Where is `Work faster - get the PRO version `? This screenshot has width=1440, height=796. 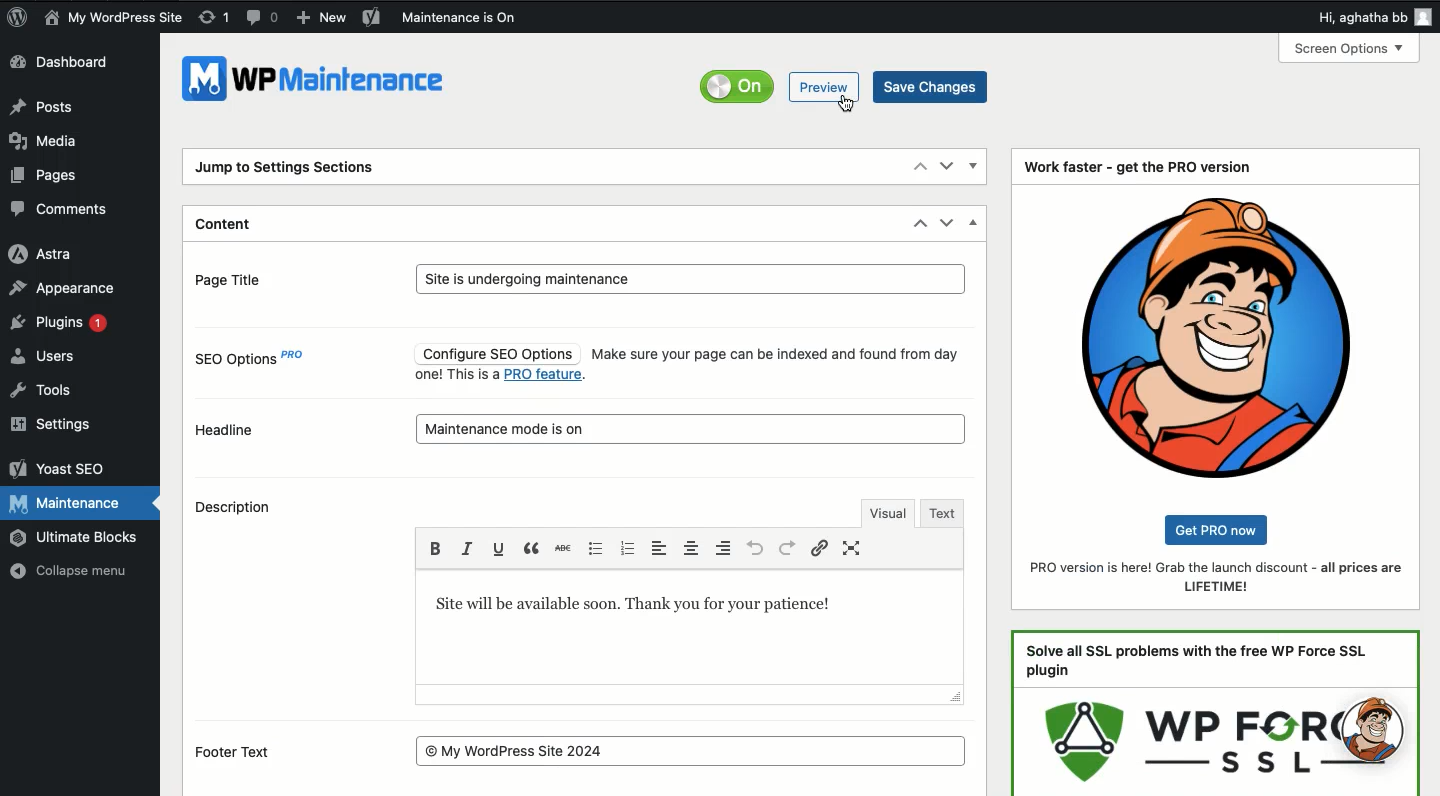
Work faster - get the PRO version  is located at coordinates (1138, 167).